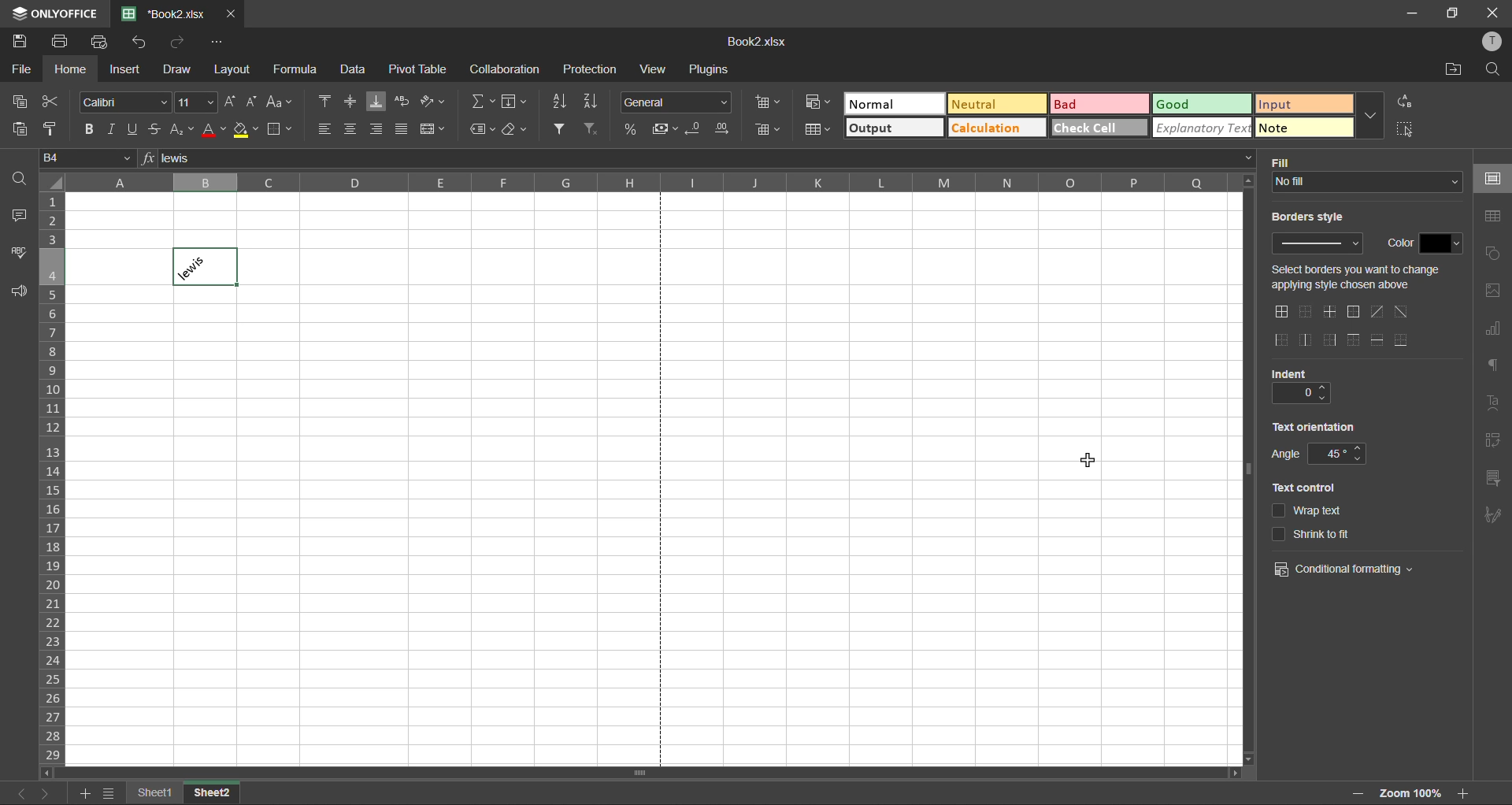 This screenshot has width=1512, height=805. I want to click on charts, so click(1492, 332).